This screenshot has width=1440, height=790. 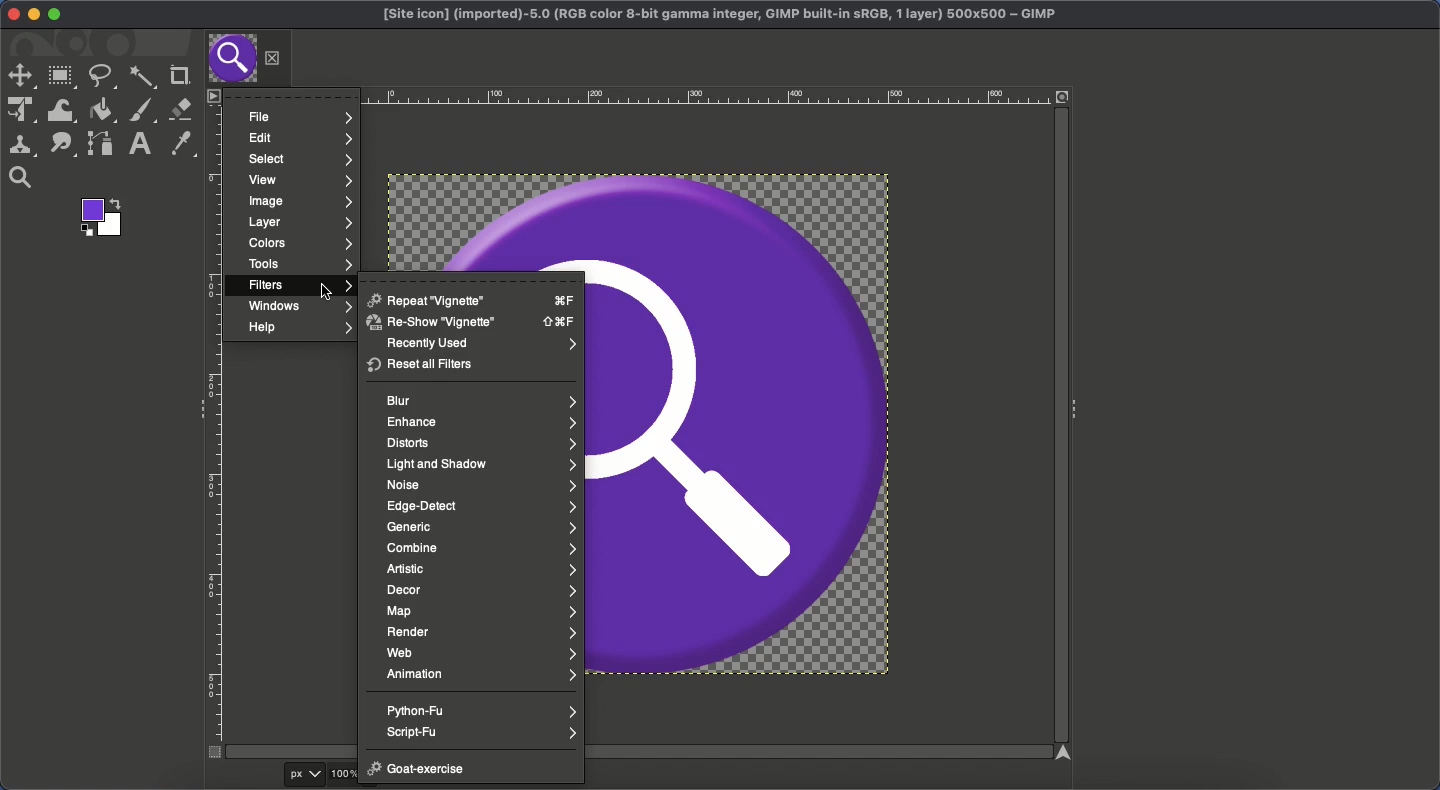 I want to click on Colors, so click(x=297, y=244).